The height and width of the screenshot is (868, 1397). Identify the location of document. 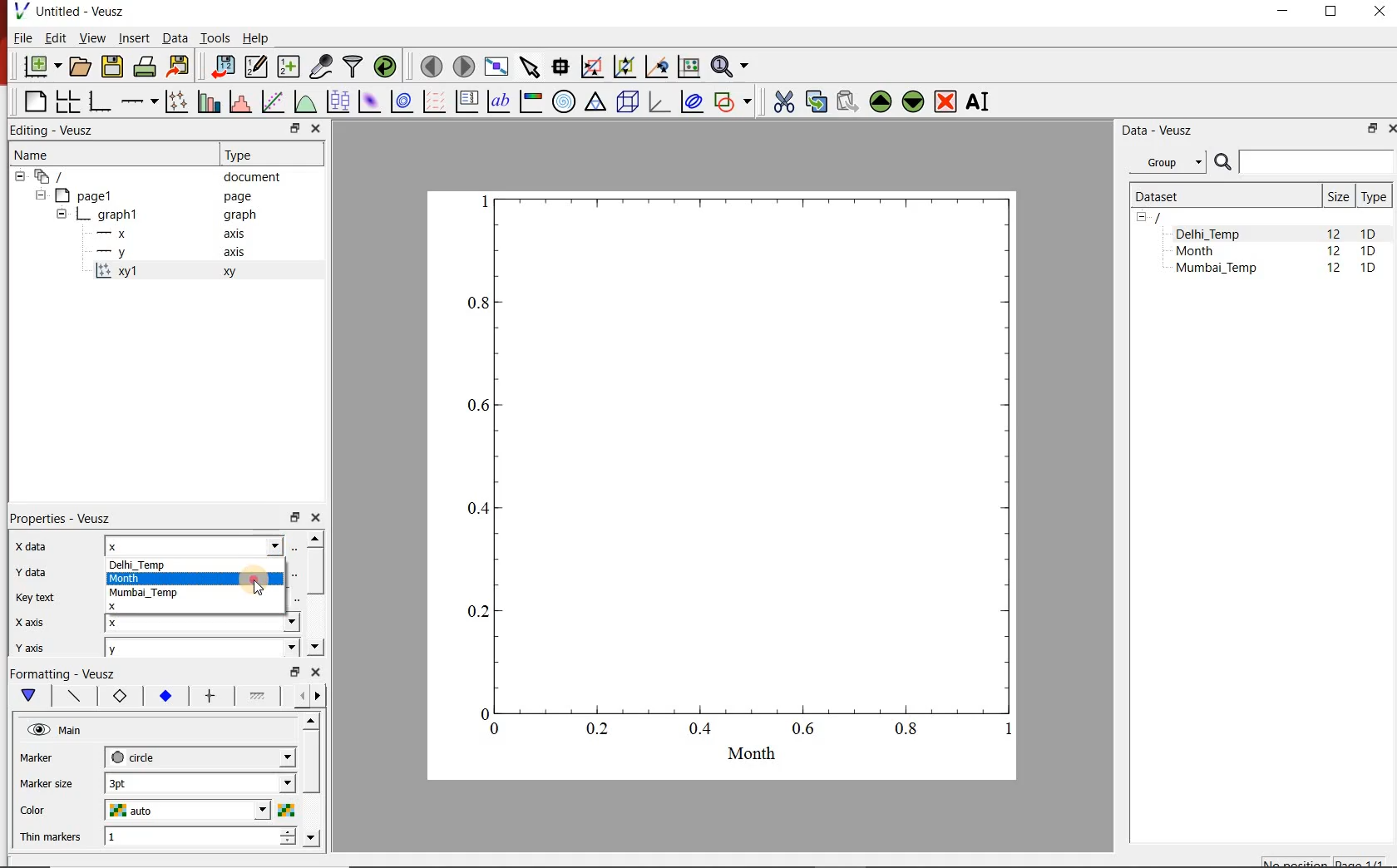
(151, 175).